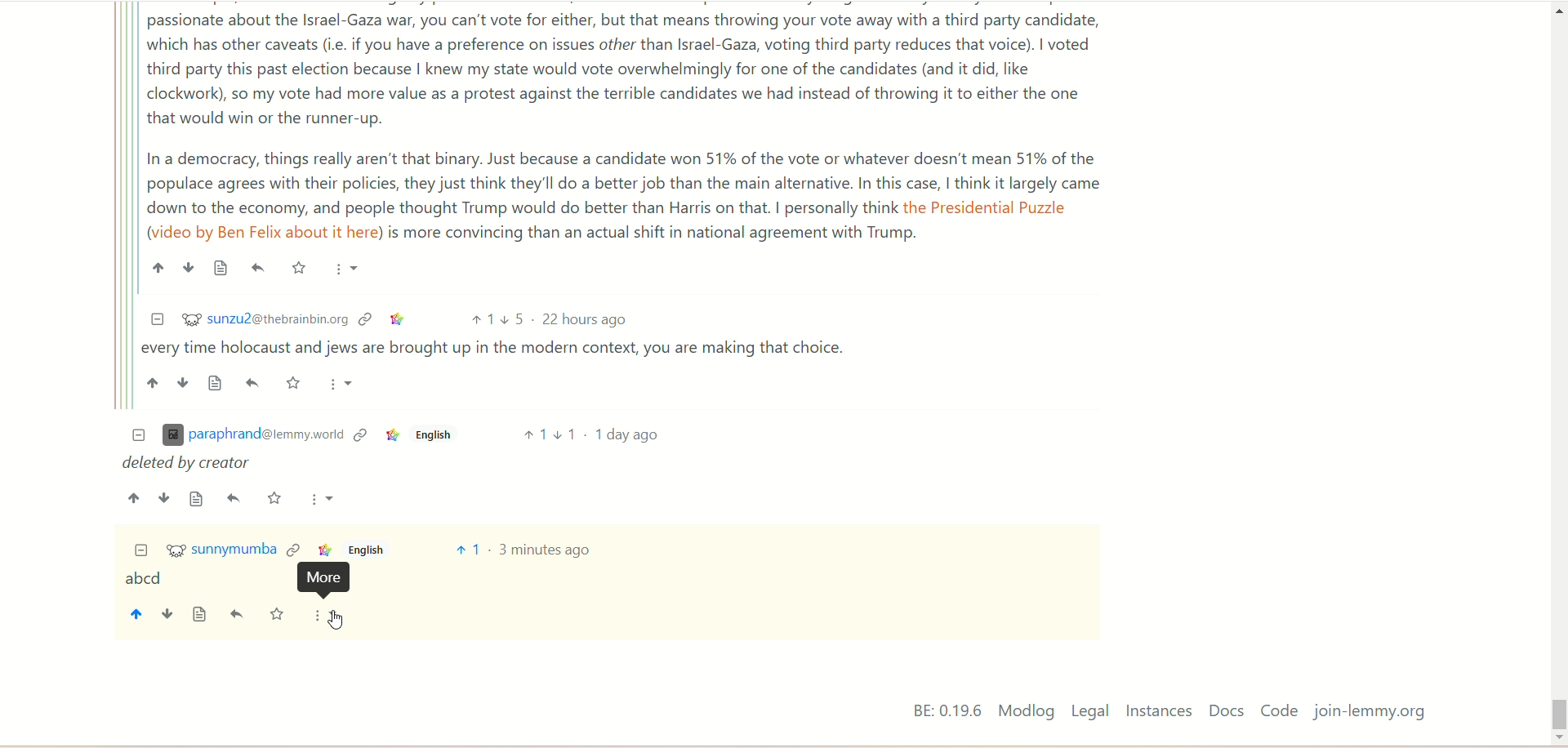 Image resolution: width=1568 pixels, height=748 pixels. Describe the element at coordinates (135, 498) in the screenshot. I see `Upvote` at that location.